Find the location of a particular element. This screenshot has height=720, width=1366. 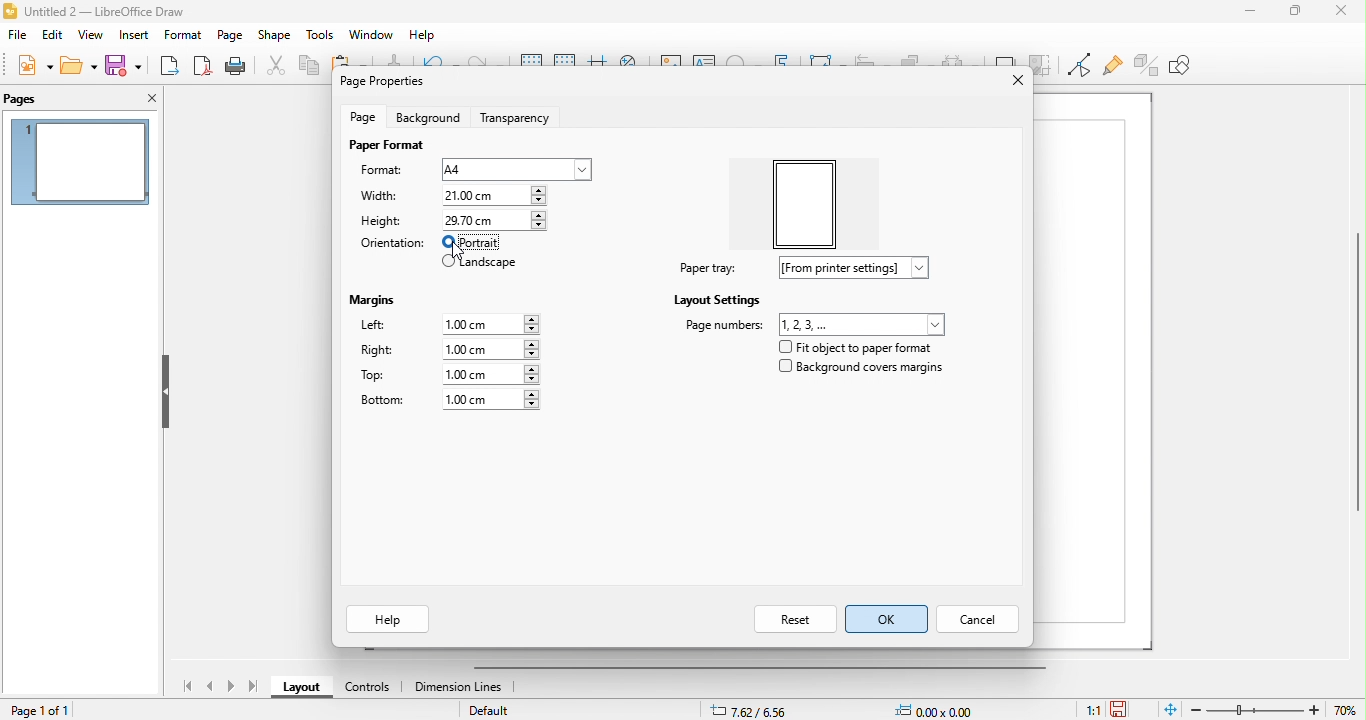

background is located at coordinates (428, 119).